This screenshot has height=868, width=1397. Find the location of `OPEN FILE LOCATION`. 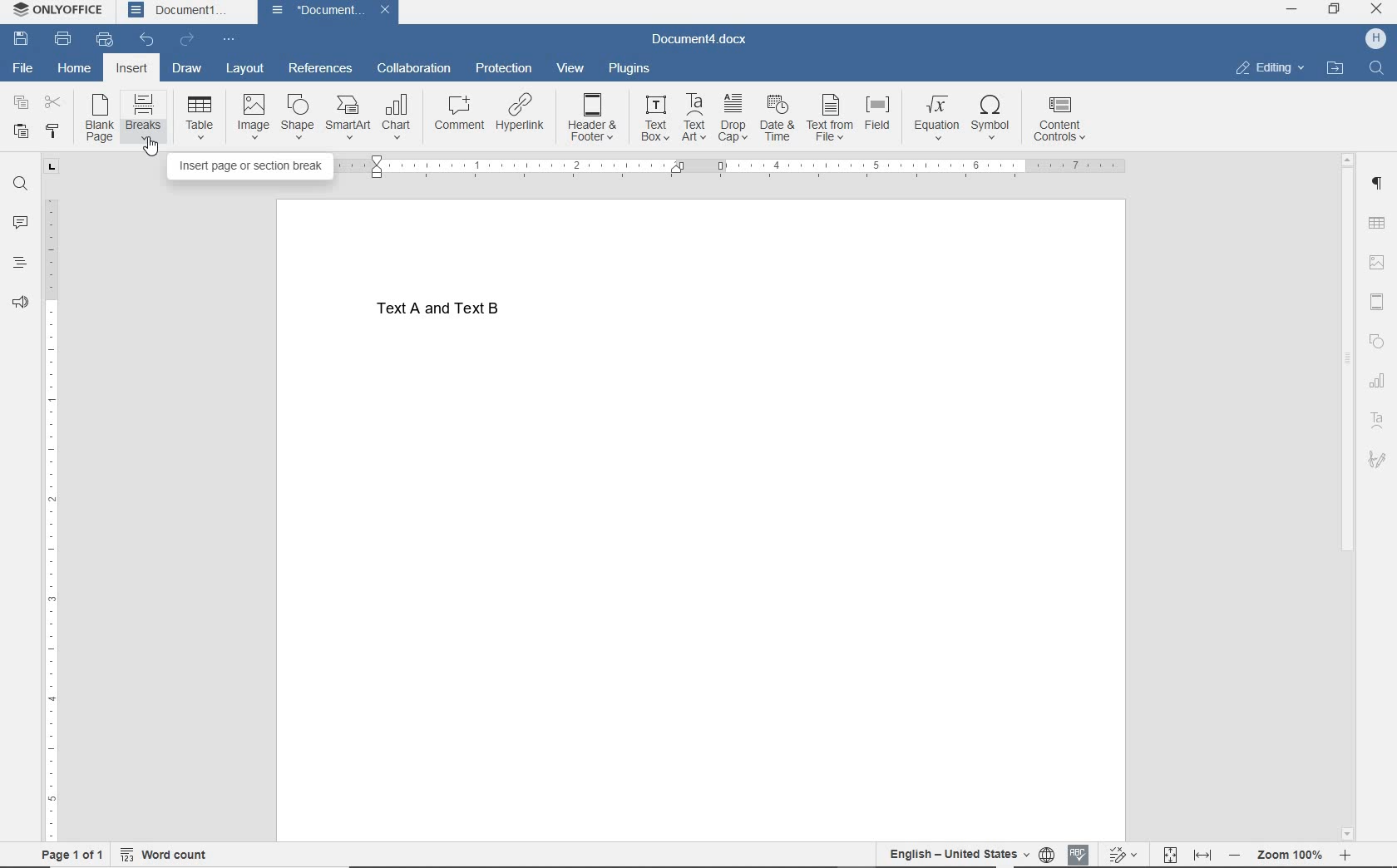

OPEN FILE LOCATION is located at coordinates (1336, 68).